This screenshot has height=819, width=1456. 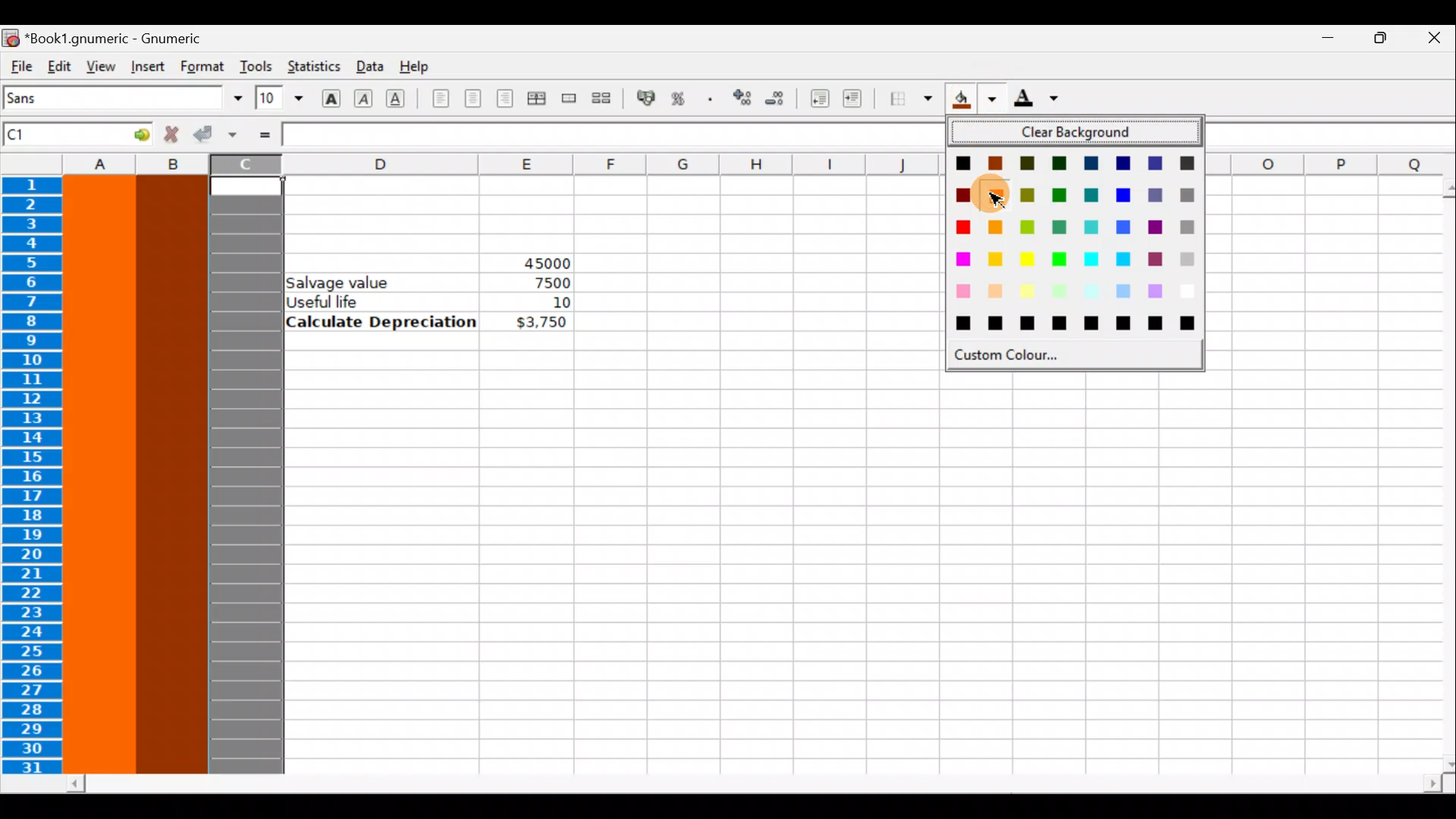 What do you see at coordinates (533, 260) in the screenshot?
I see `45000` at bounding box center [533, 260].